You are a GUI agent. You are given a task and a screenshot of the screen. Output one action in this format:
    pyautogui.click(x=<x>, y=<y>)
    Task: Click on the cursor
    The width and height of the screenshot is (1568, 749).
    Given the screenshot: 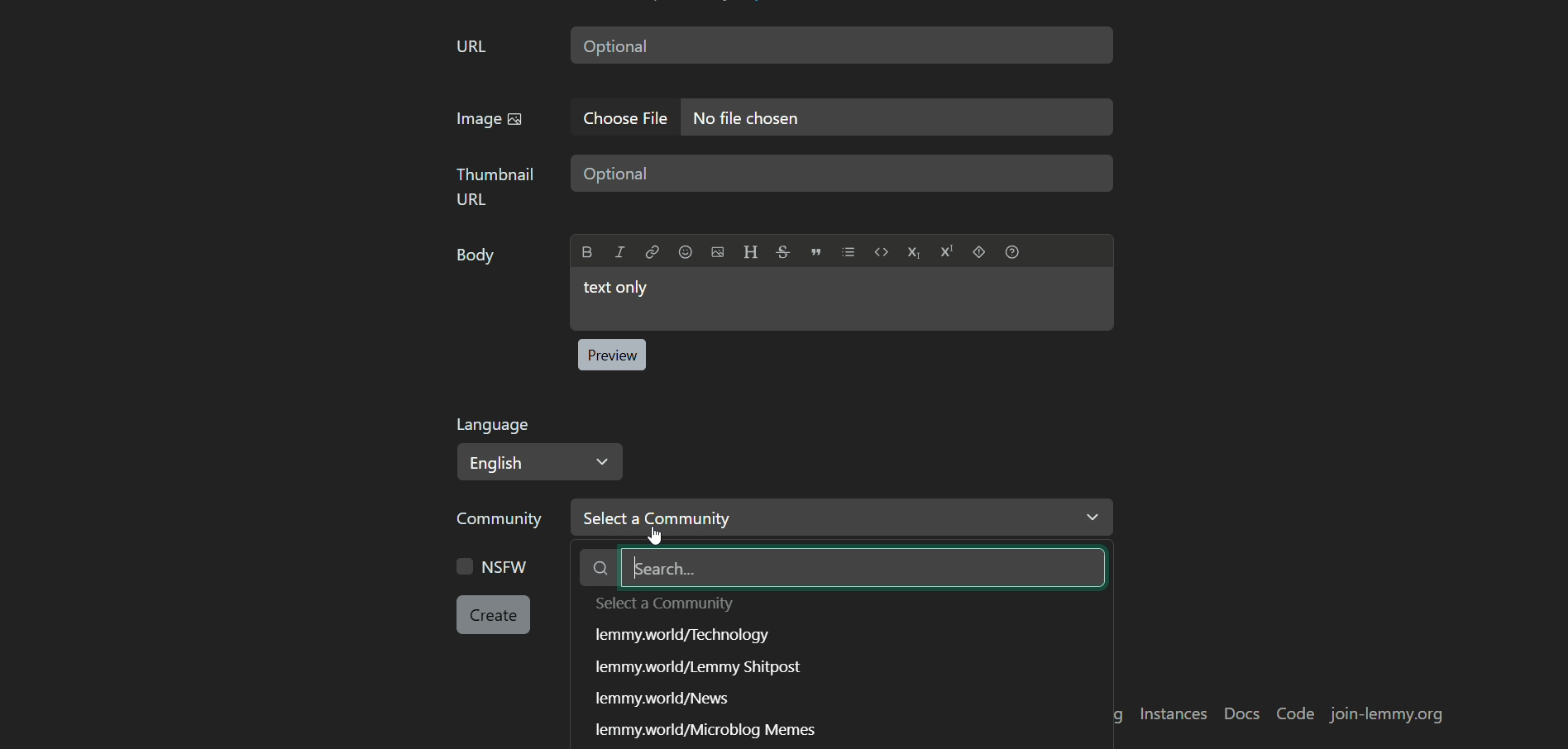 What is the action you would take?
    pyautogui.click(x=653, y=536)
    